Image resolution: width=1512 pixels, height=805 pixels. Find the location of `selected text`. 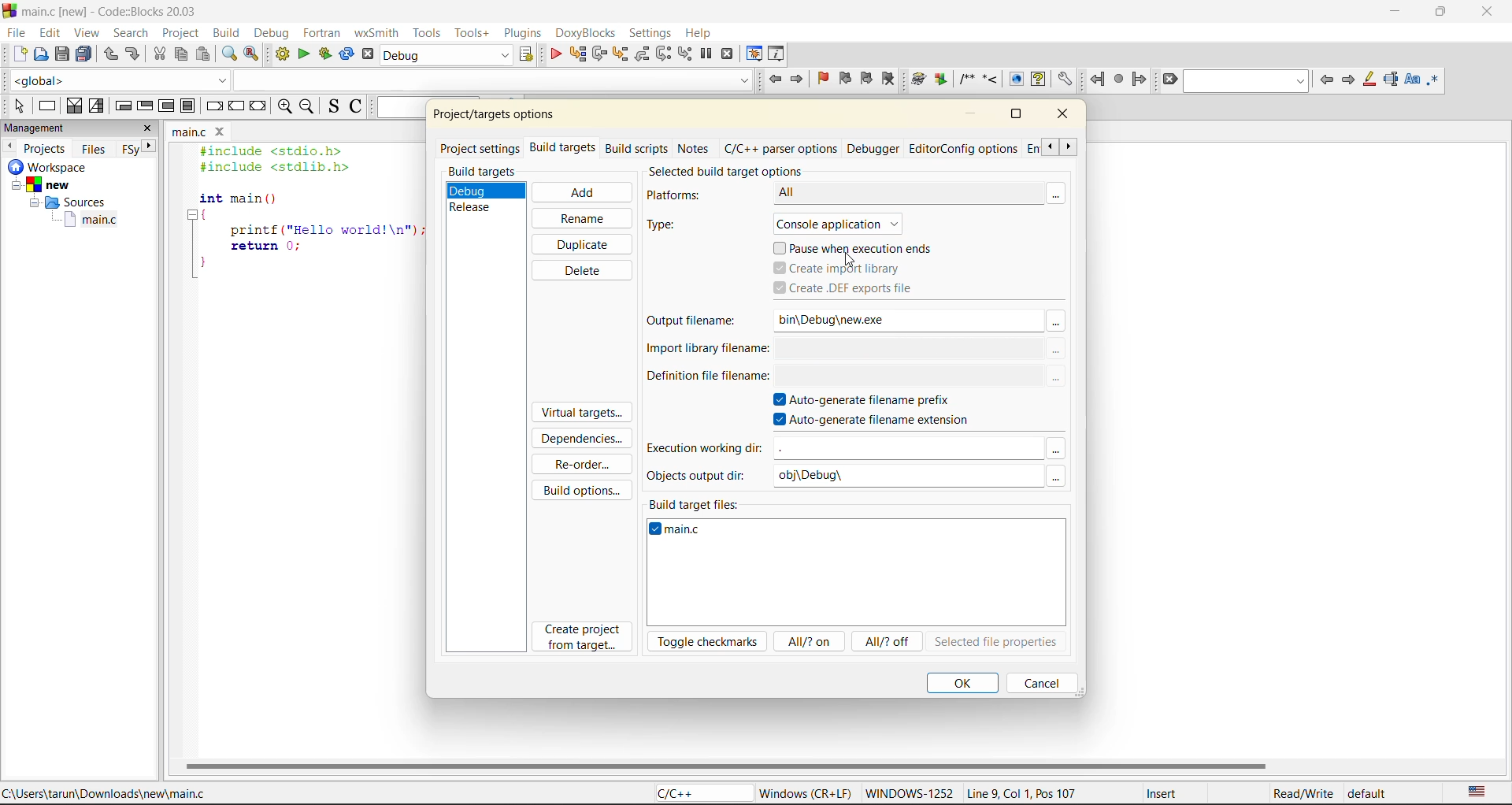

selected text is located at coordinates (1393, 79).